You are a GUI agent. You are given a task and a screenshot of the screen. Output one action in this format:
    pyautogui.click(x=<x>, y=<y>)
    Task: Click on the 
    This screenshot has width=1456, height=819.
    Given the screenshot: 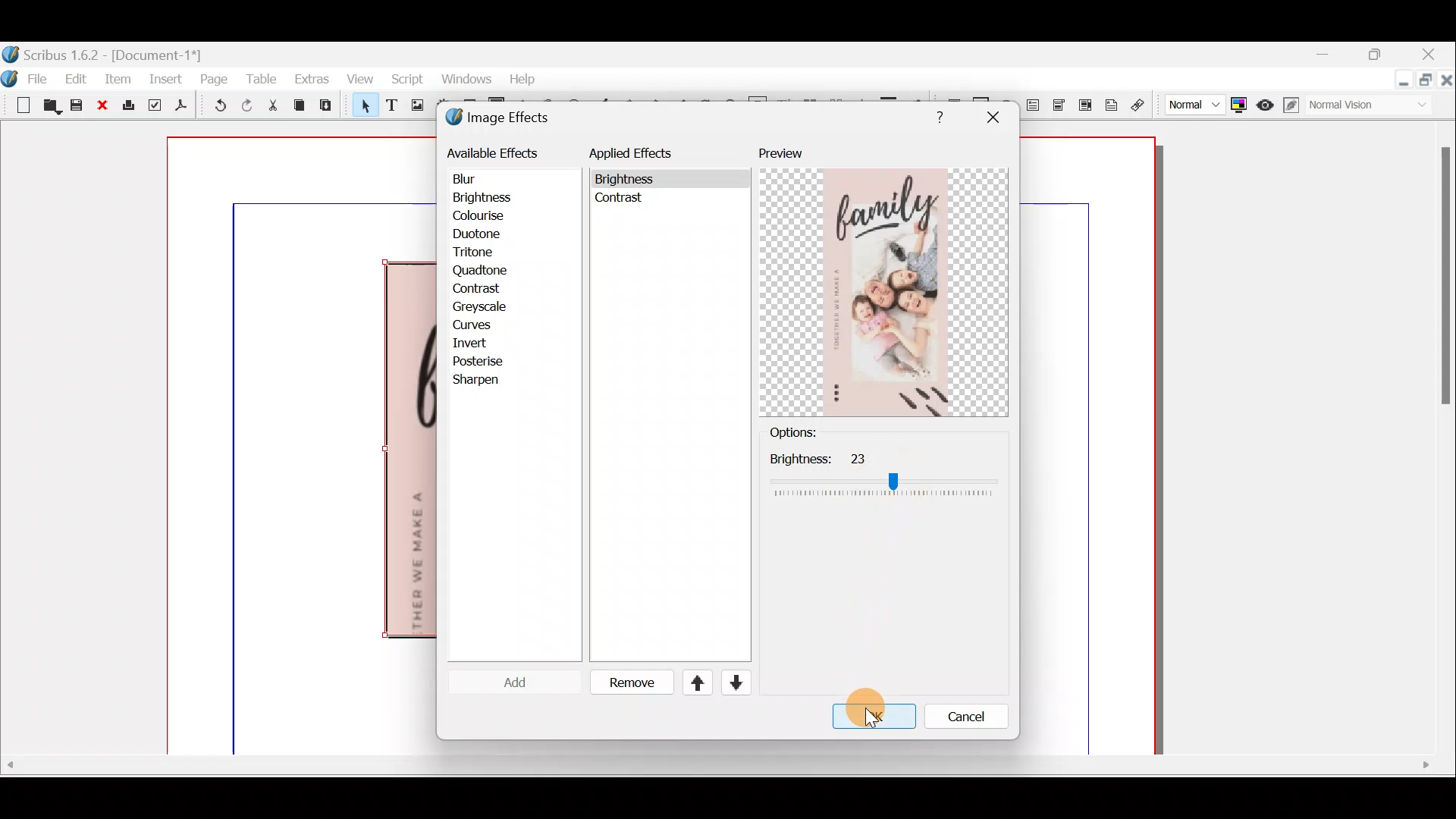 What is the action you would take?
    pyautogui.click(x=1442, y=283)
    